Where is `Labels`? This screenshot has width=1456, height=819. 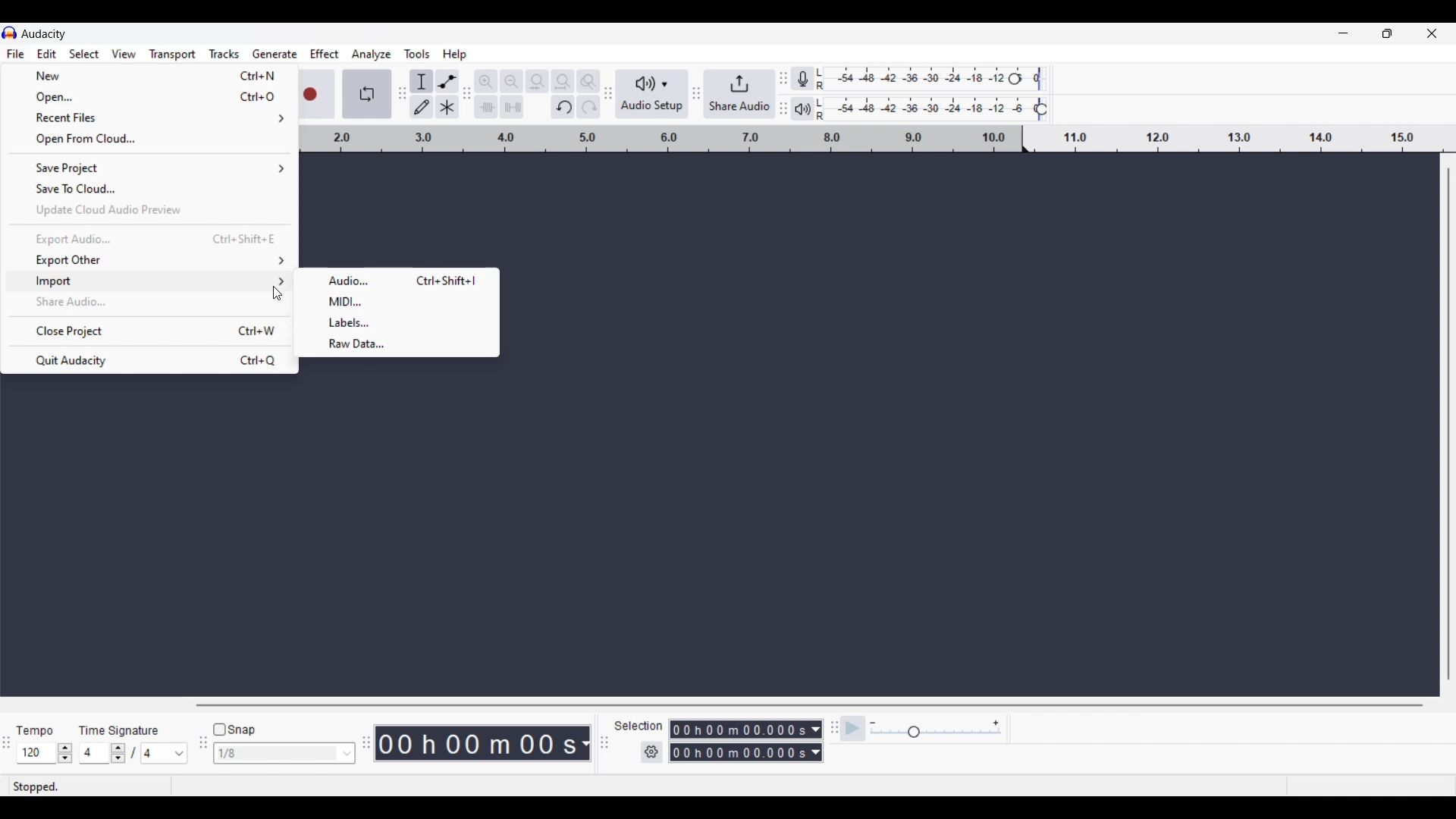
Labels is located at coordinates (397, 323).